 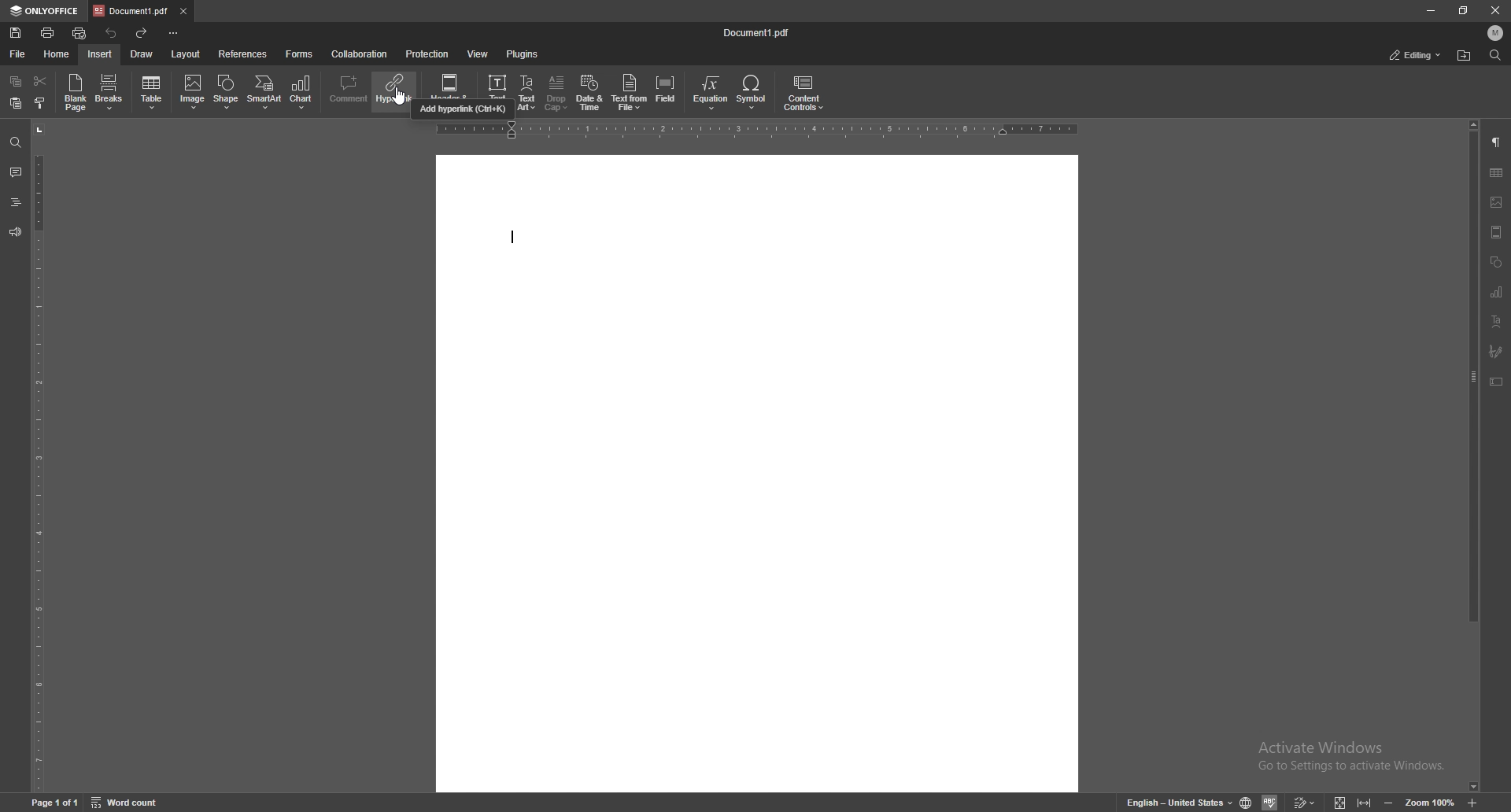 What do you see at coordinates (41, 81) in the screenshot?
I see `cut` at bounding box center [41, 81].